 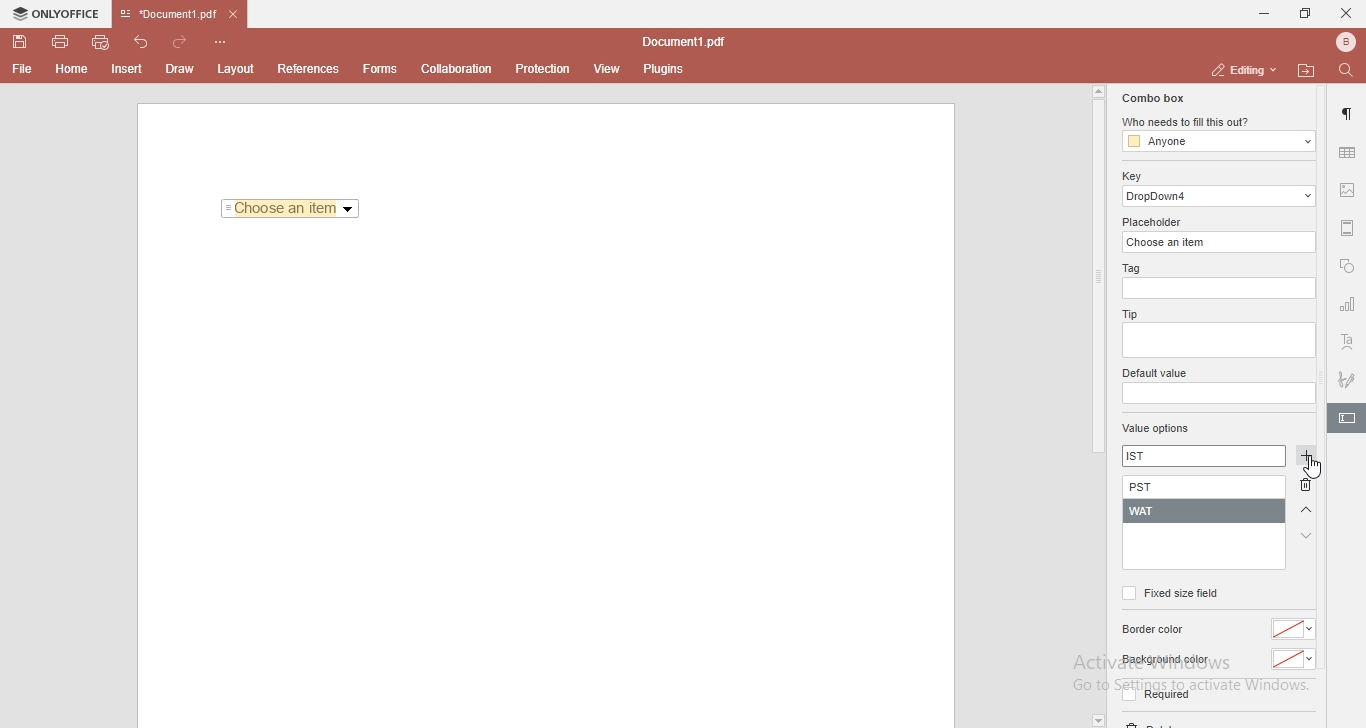 What do you see at coordinates (1340, 42) in the screenshot?
I see `bluetooth` at bounding box center [1340, 42].